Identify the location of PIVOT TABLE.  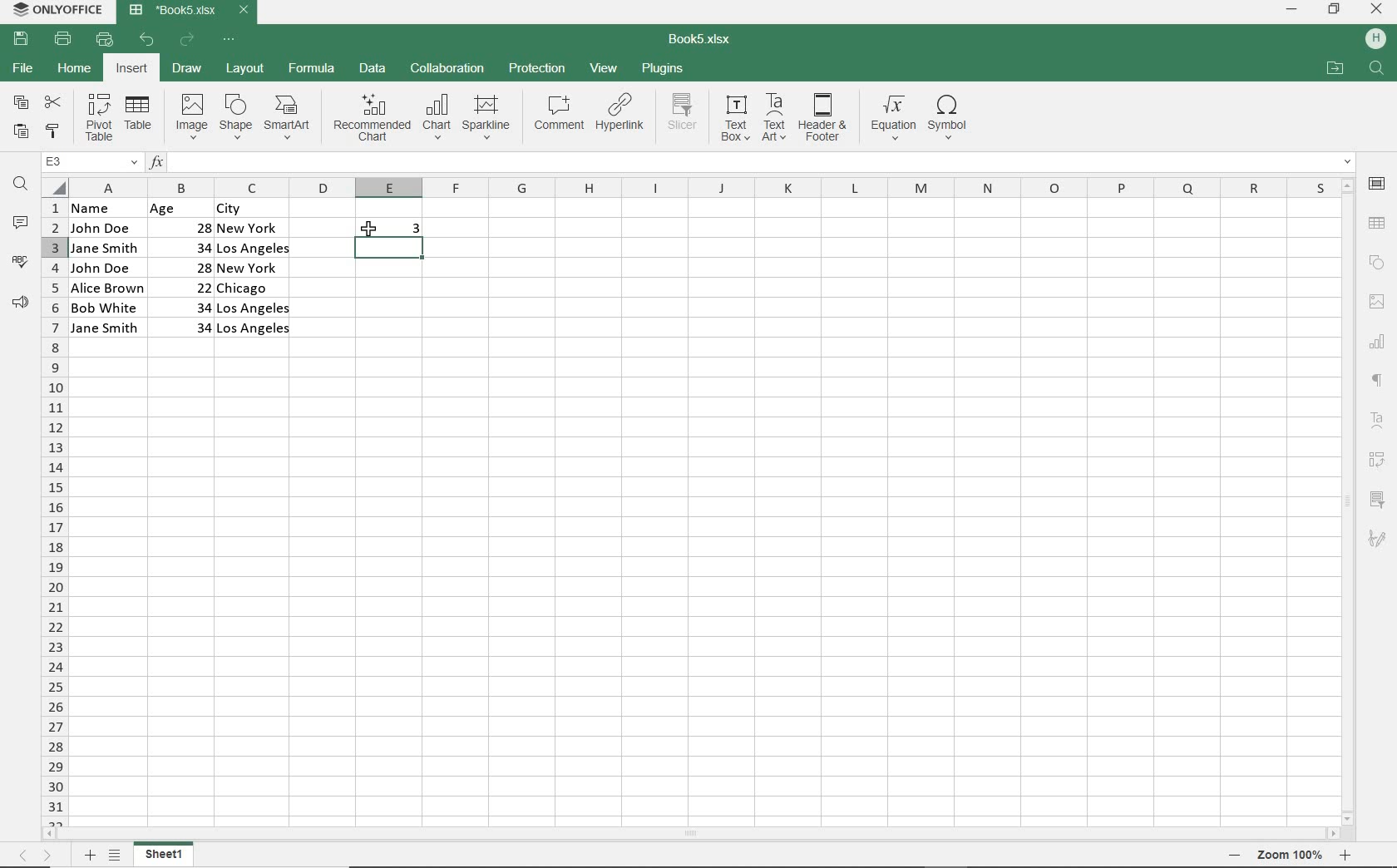
(99, 118).